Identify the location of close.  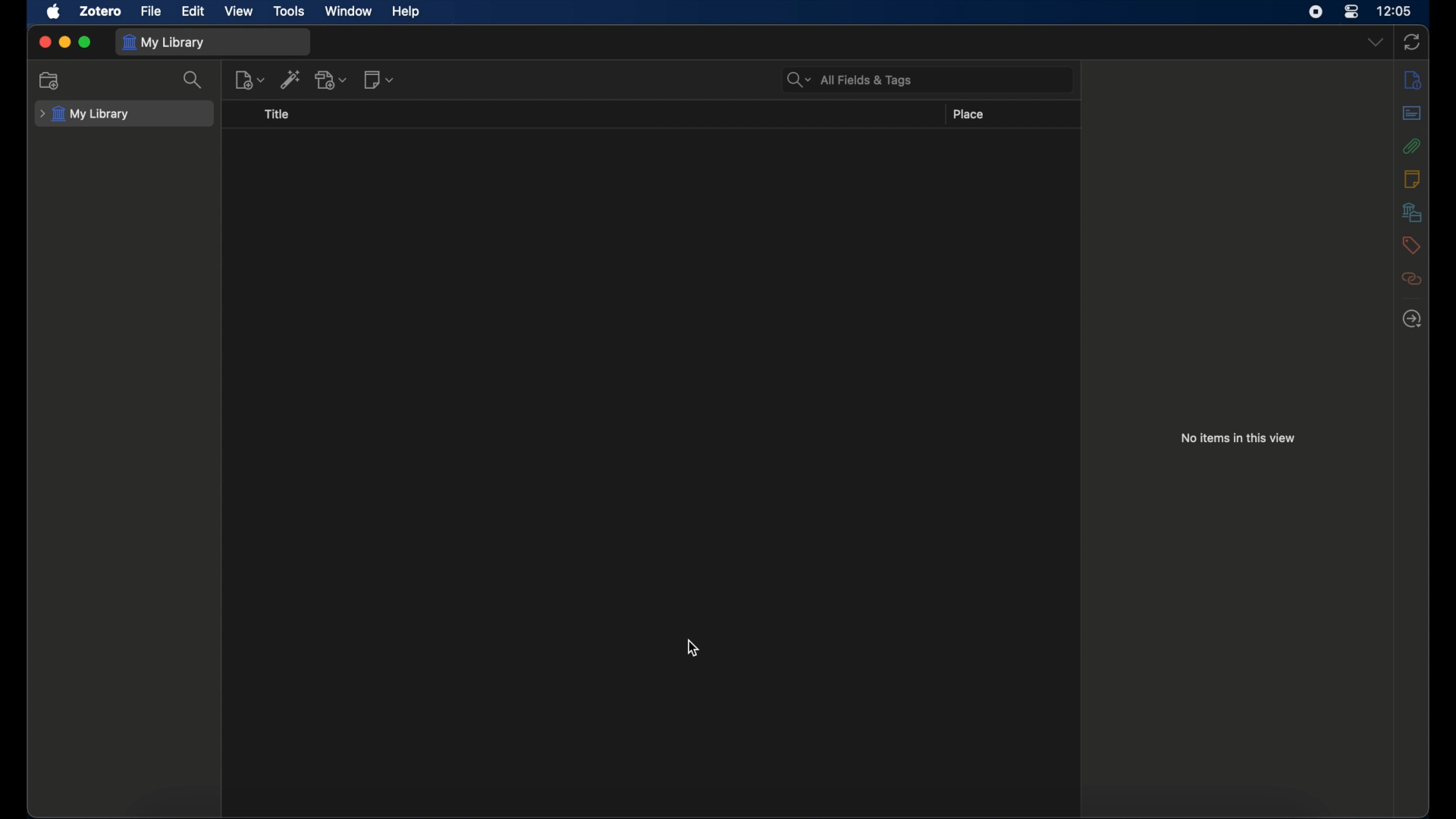
(44, 42).